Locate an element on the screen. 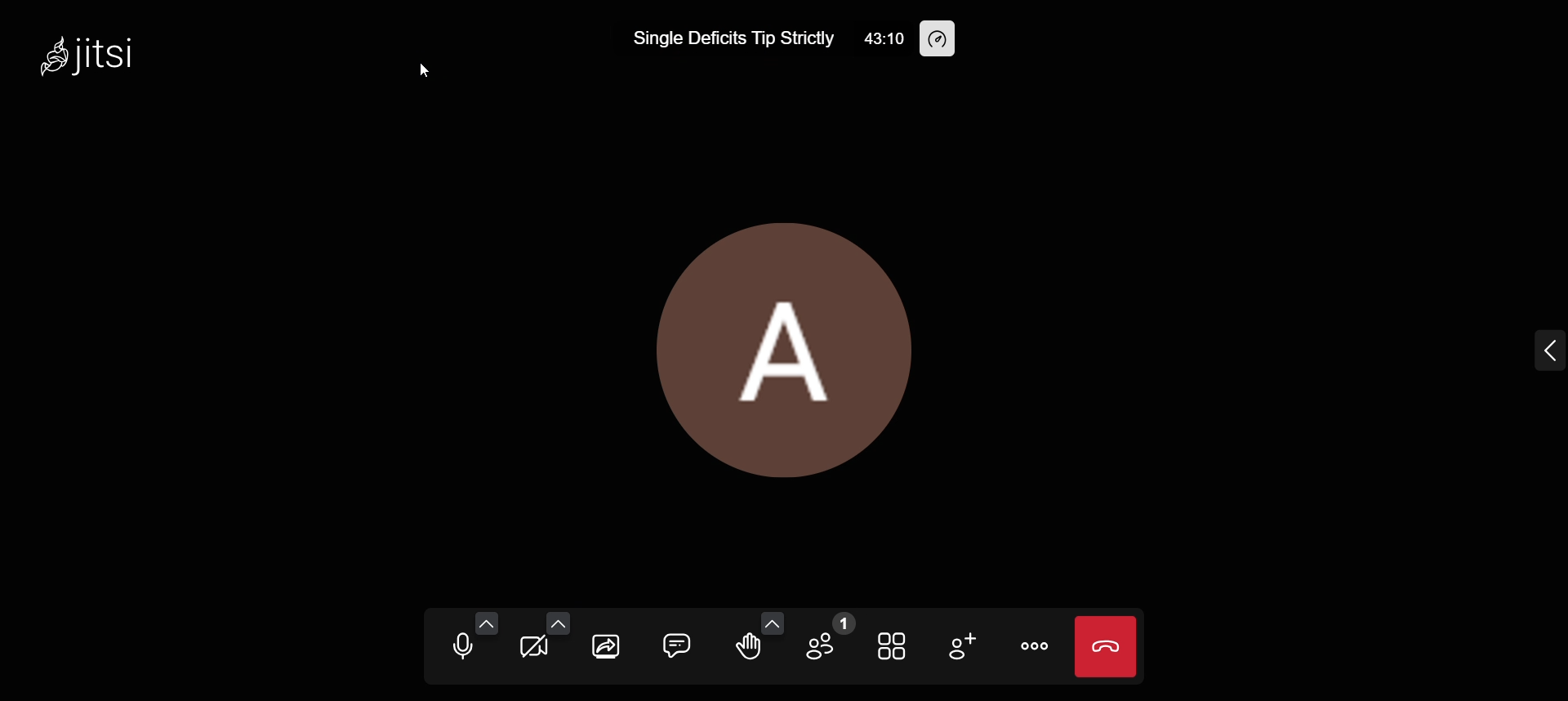 Image resolution: width=1568 pixels, height=701 pixels. video setting is located at coordinates (558, 622).